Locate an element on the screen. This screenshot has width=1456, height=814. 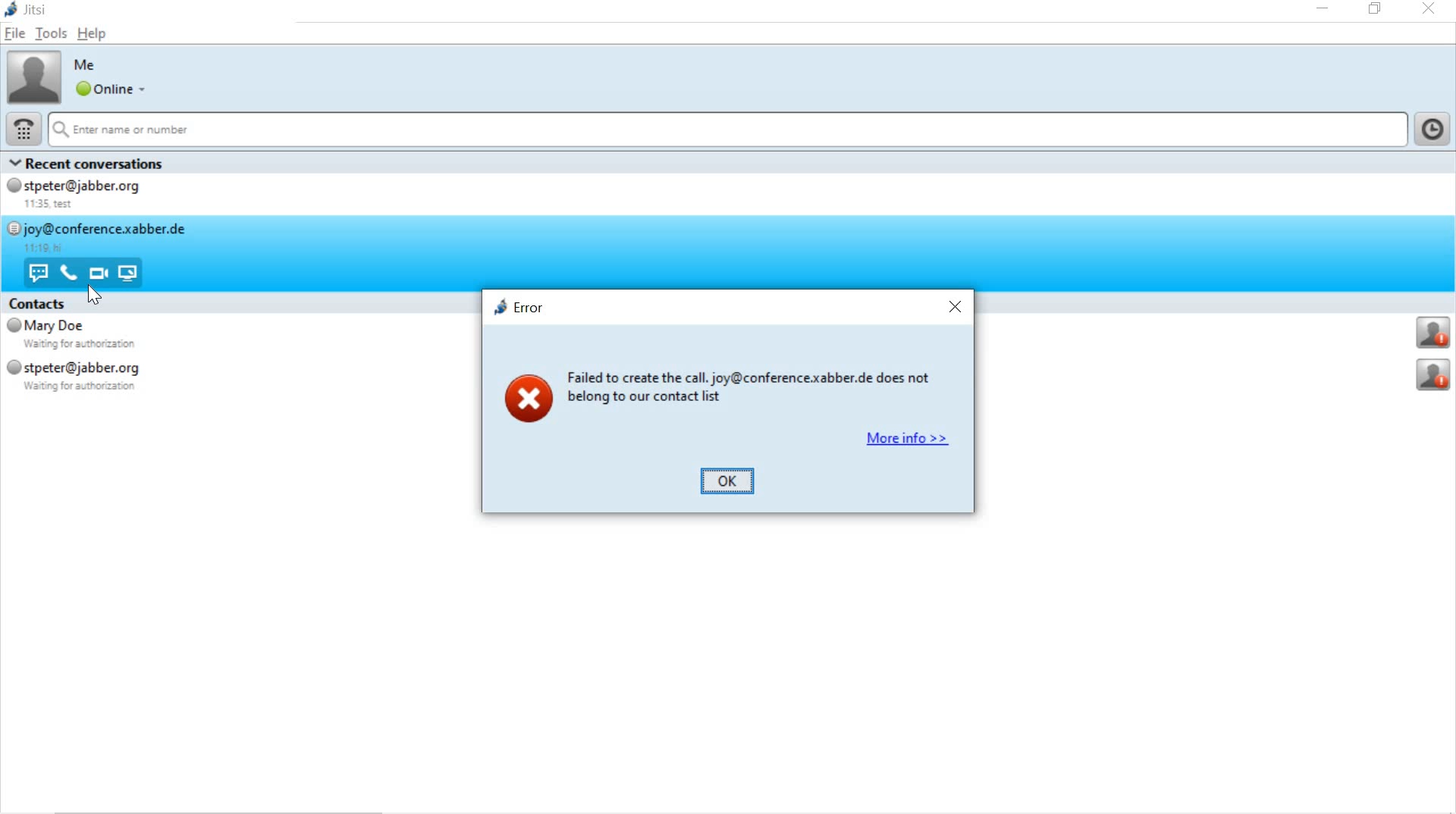
 show call history is located at coordinates (1435, 129).